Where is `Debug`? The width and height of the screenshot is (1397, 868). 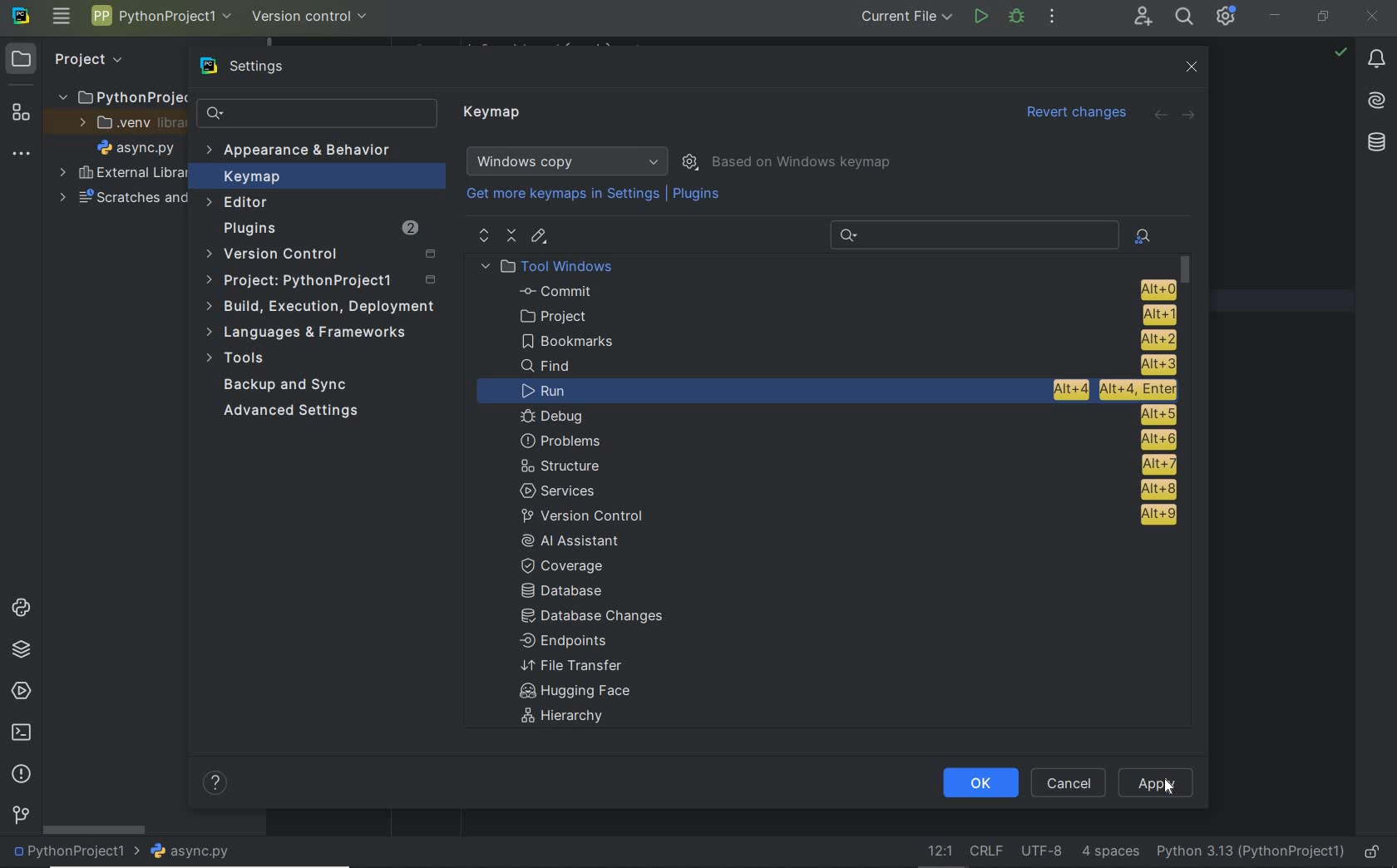
Debug is located at coordinates (1017, 17).